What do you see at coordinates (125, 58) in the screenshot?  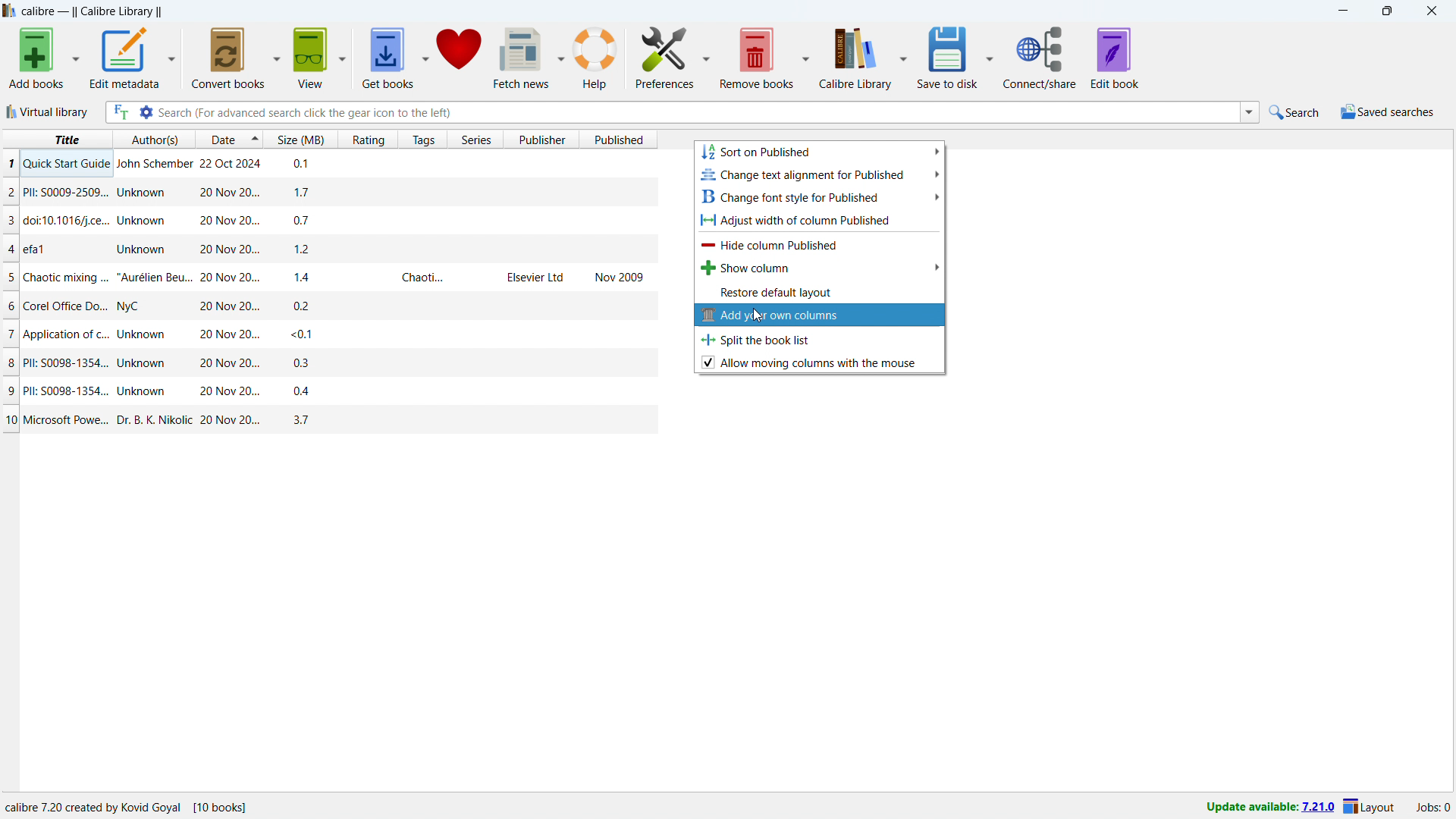 I see `edit metadata` at bounding box center [125, 58].